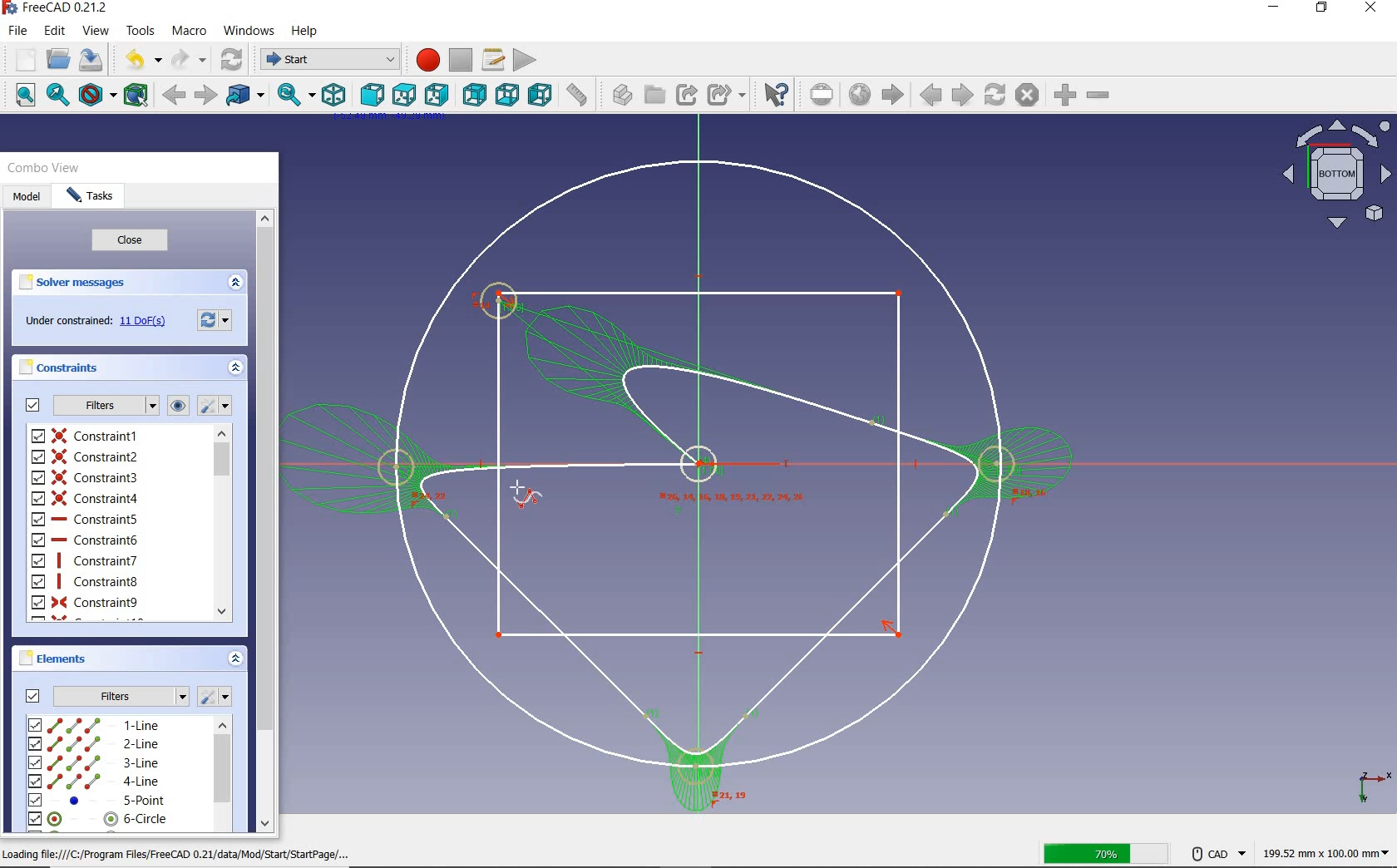 This screenshot has width=1397, height=868. What do you see at coordinates (996, 96) in the screenshot?
I see `refresh webpage` at bounding box center [996, 96].